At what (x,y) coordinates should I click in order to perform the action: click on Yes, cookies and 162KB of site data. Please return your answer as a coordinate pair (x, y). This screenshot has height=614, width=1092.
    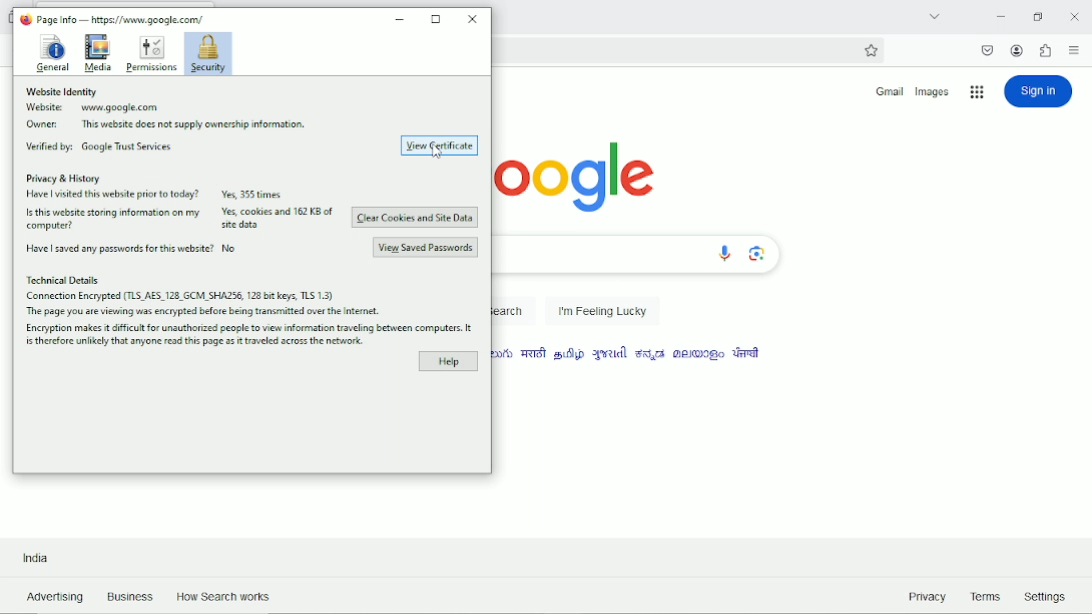
    Looking at the image, I should click on (276, 220).